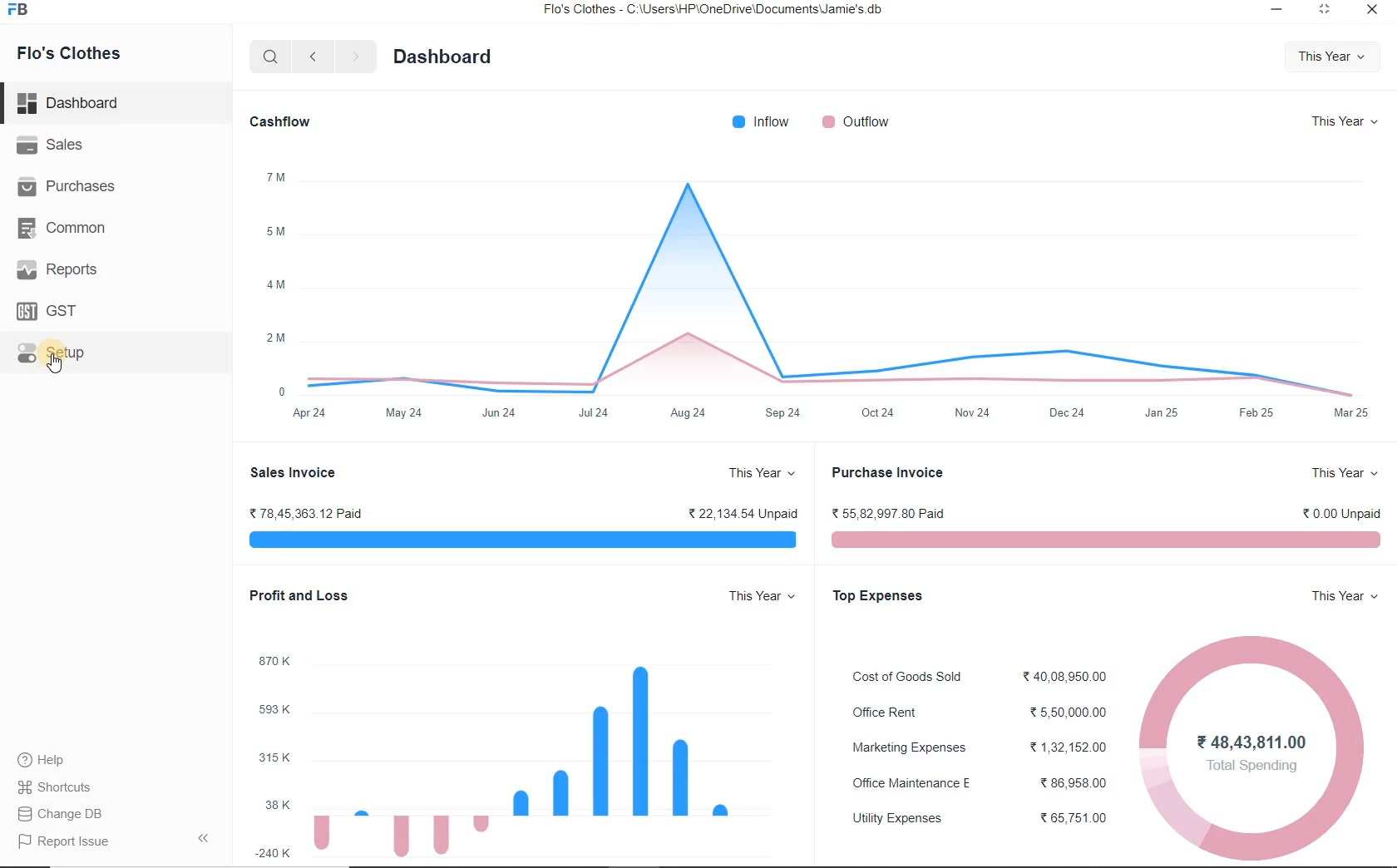 The width and height of the screenshot is (1397, 868). I want to click on Pie chart, so click(1250, 743).